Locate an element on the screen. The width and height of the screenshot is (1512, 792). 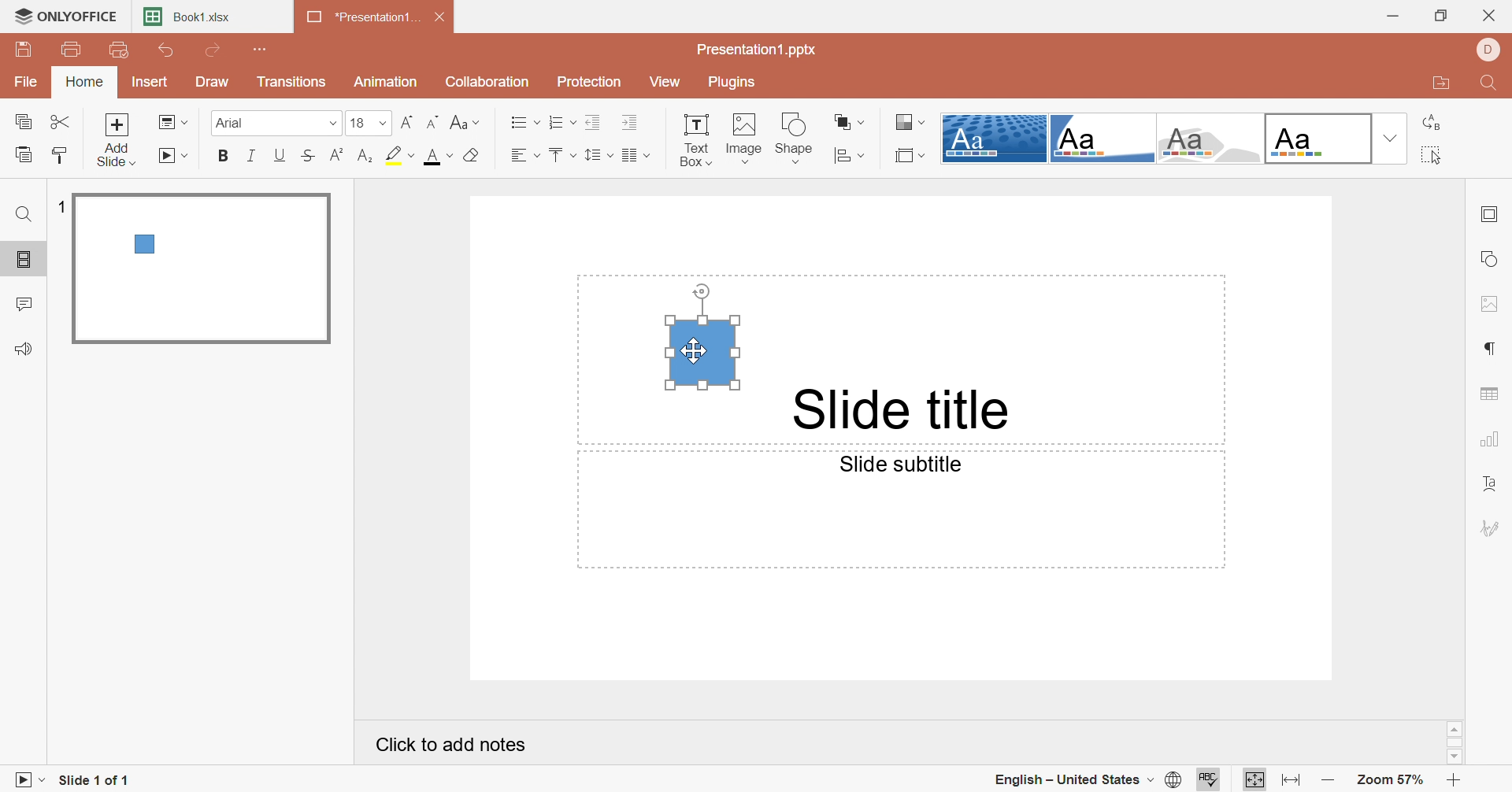
Vertical align is located at coordinates (563, 156).